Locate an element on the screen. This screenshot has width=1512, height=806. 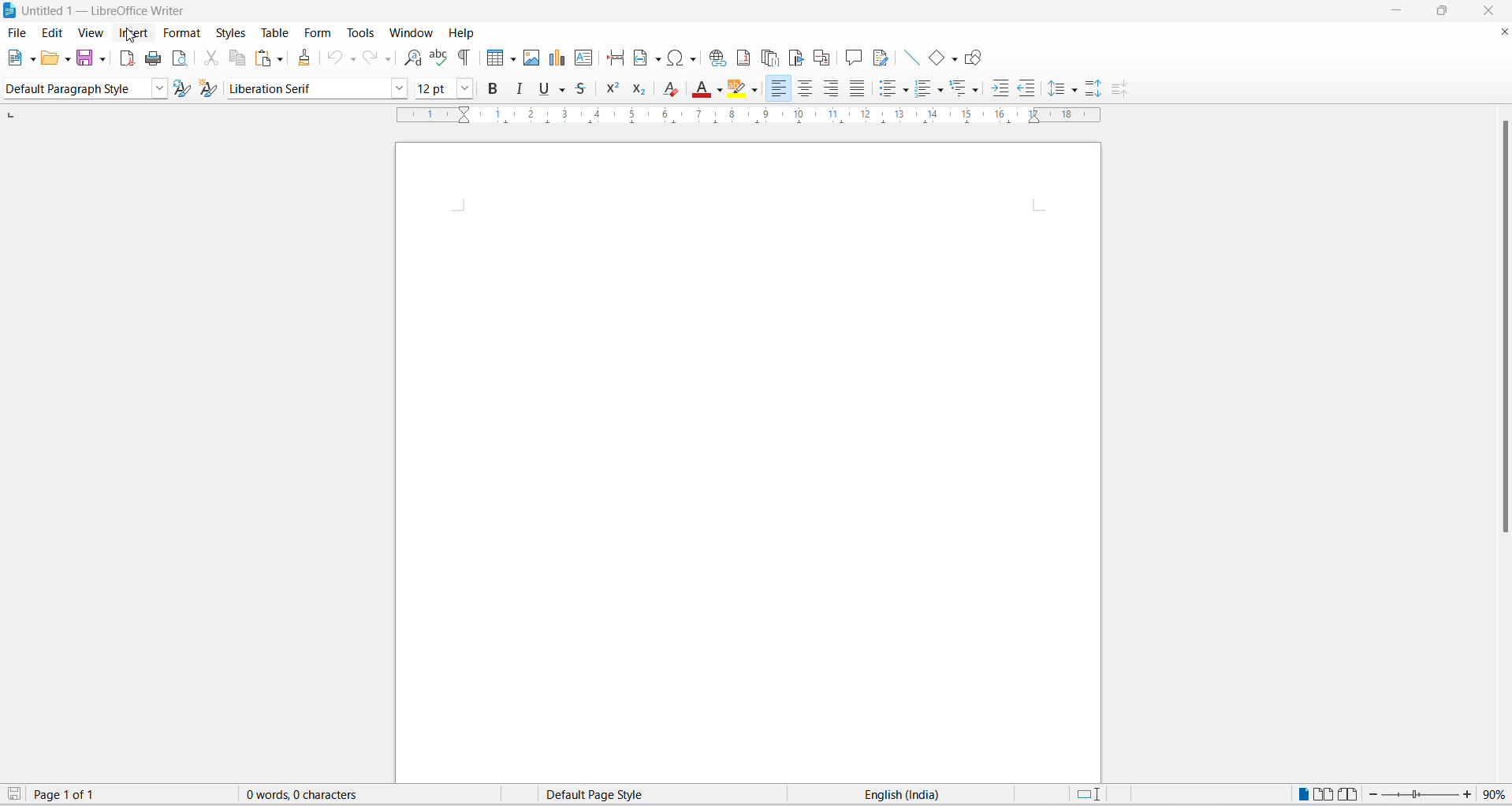
cut is located at coordinates (210, 59).